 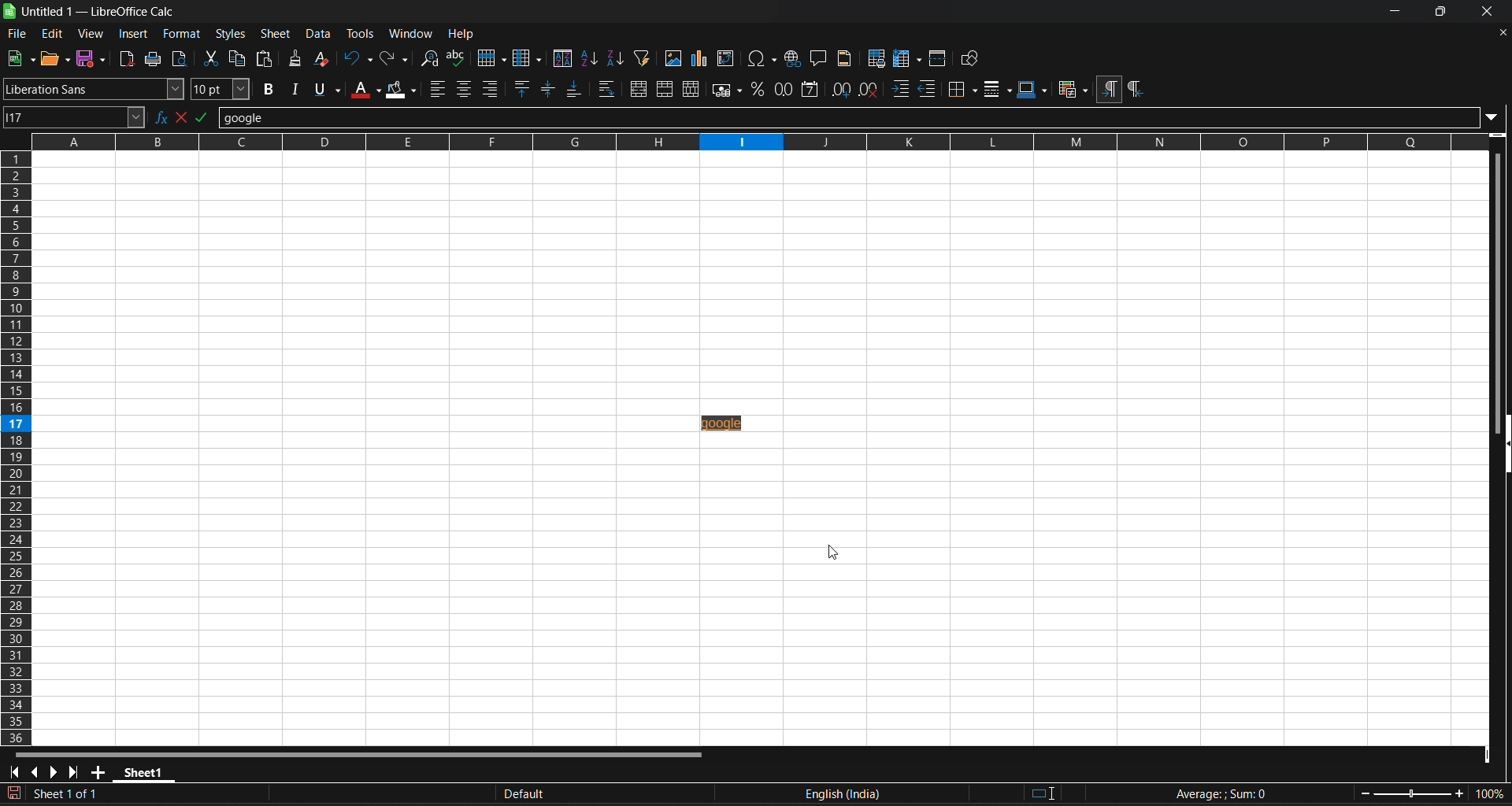 I want to click on clear direct formatting, so click(x=324, y=60).